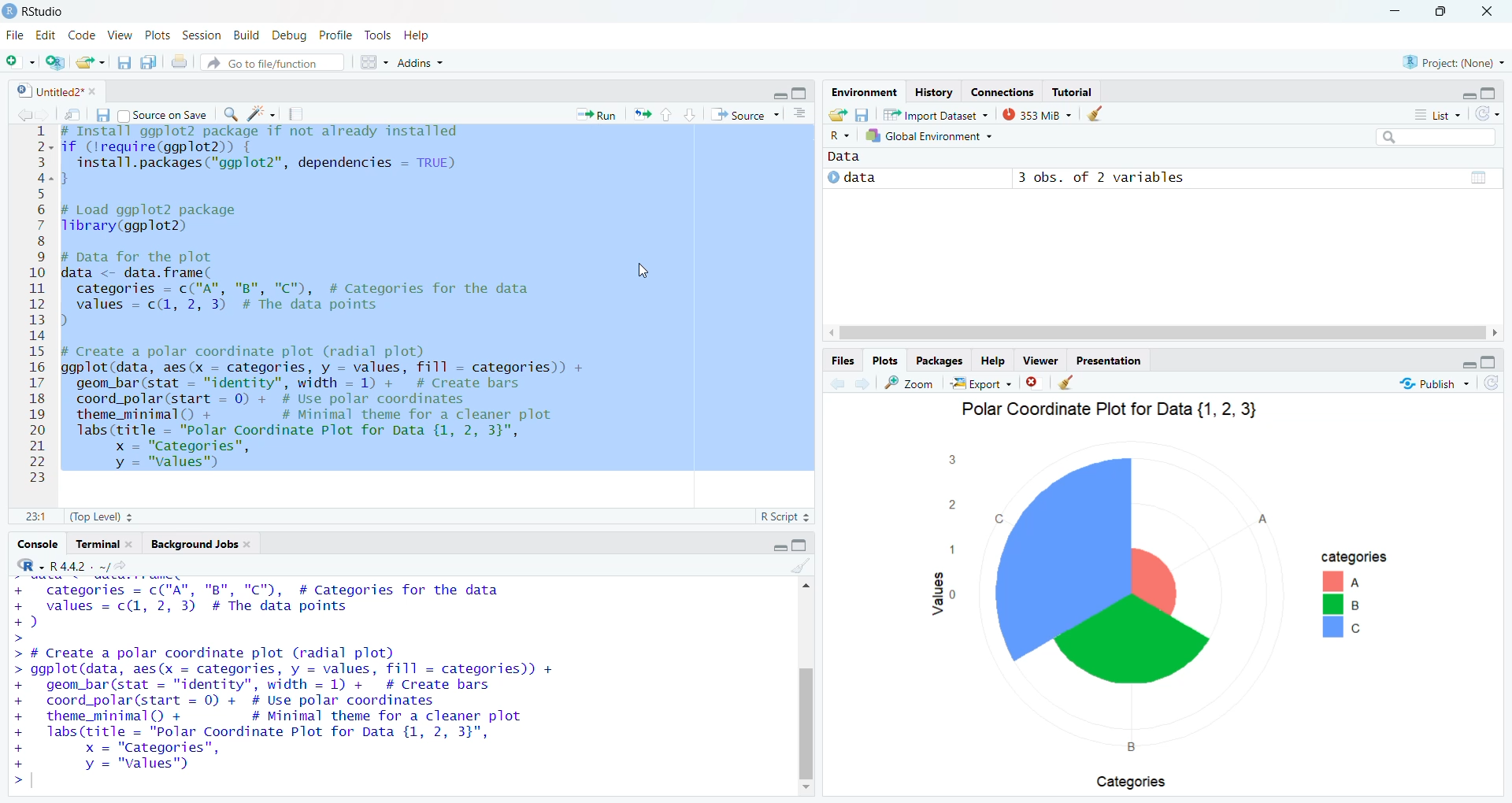 This screenshot has height=803, width=1512. What do you see at coordinates (179, 65) in the screenshot?
I see `print the current file` at bounding box center [179, 65].